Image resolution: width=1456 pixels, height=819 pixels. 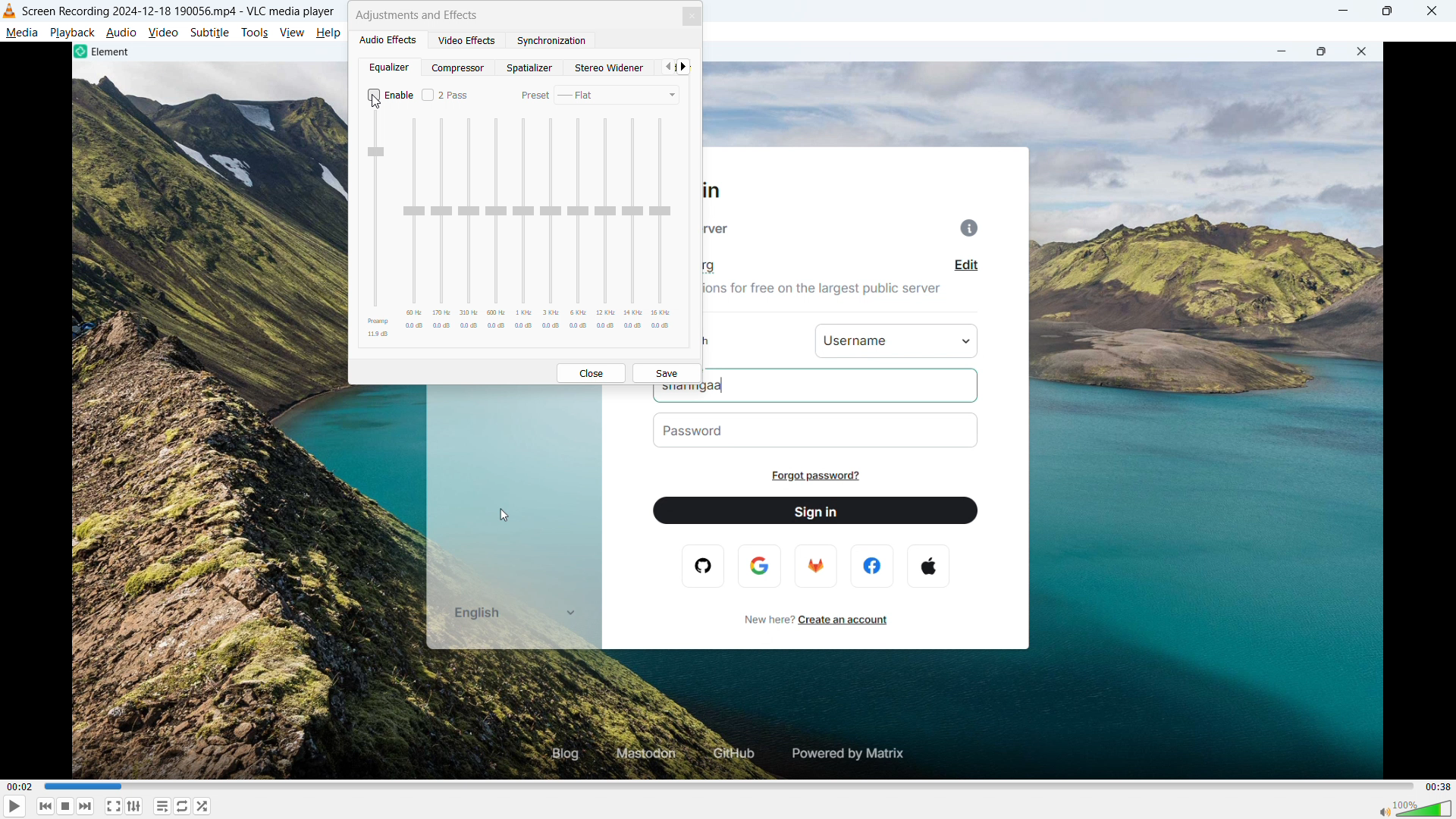 I want to click on Toggle between loop all, one loop and no loop, so click(x=183, y=806).